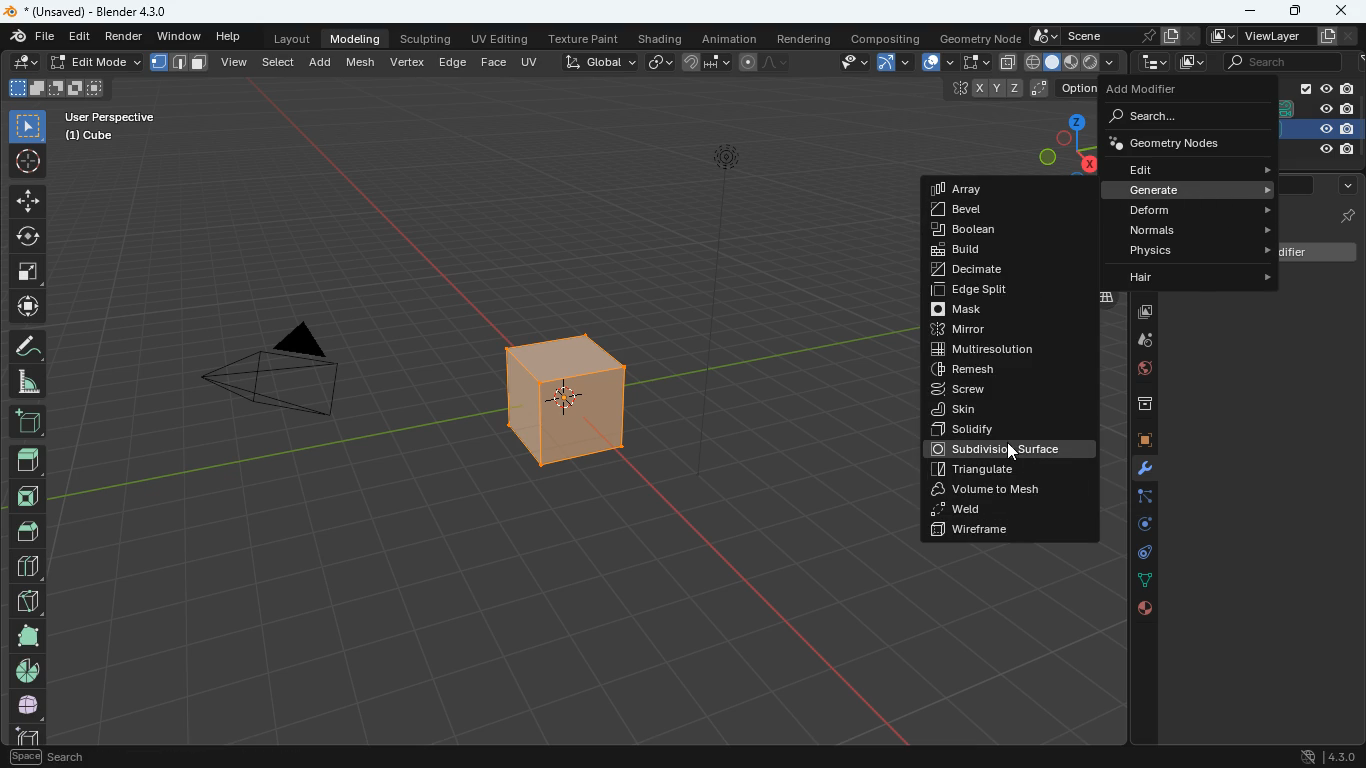 The height and width of the screenshot is (768, 1366). What do you see at coordinates (280, 65) in the screenshot?
I see `select` at bounding box center [280, 65].